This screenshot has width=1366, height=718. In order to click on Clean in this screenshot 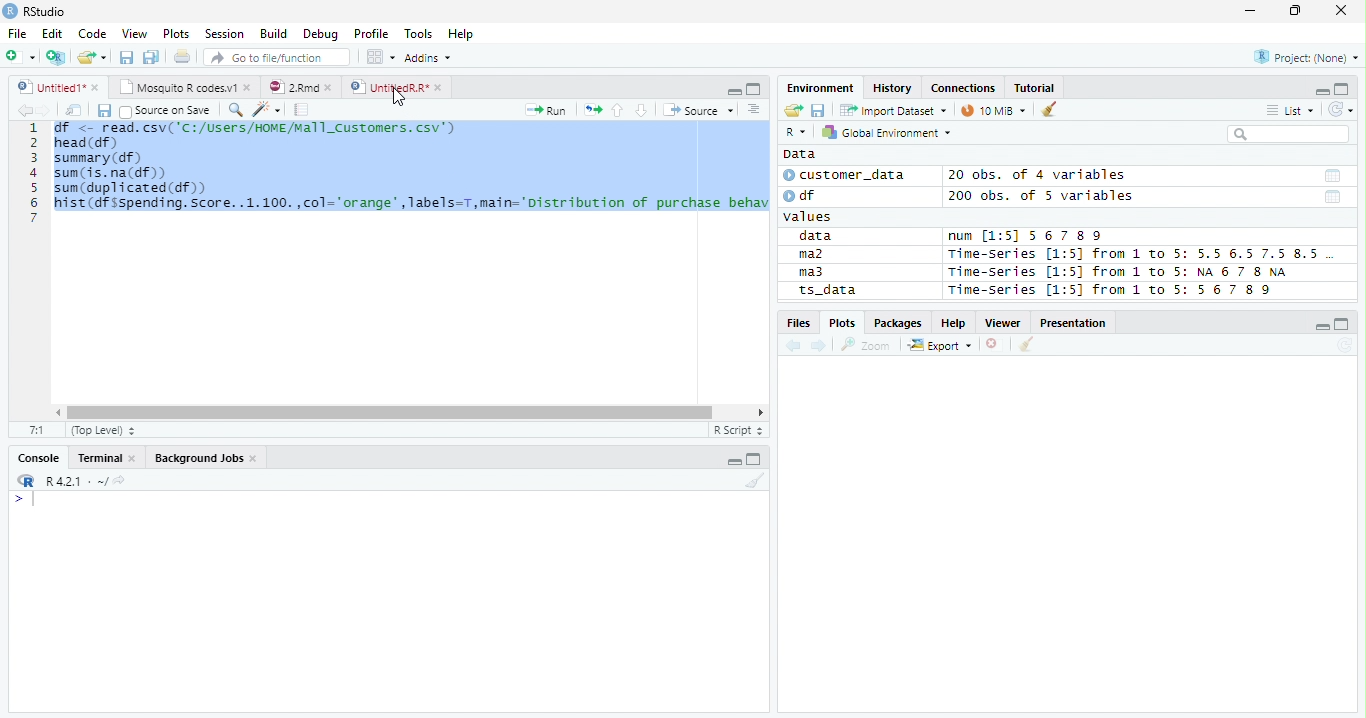, I will do `click(755, 482)`.